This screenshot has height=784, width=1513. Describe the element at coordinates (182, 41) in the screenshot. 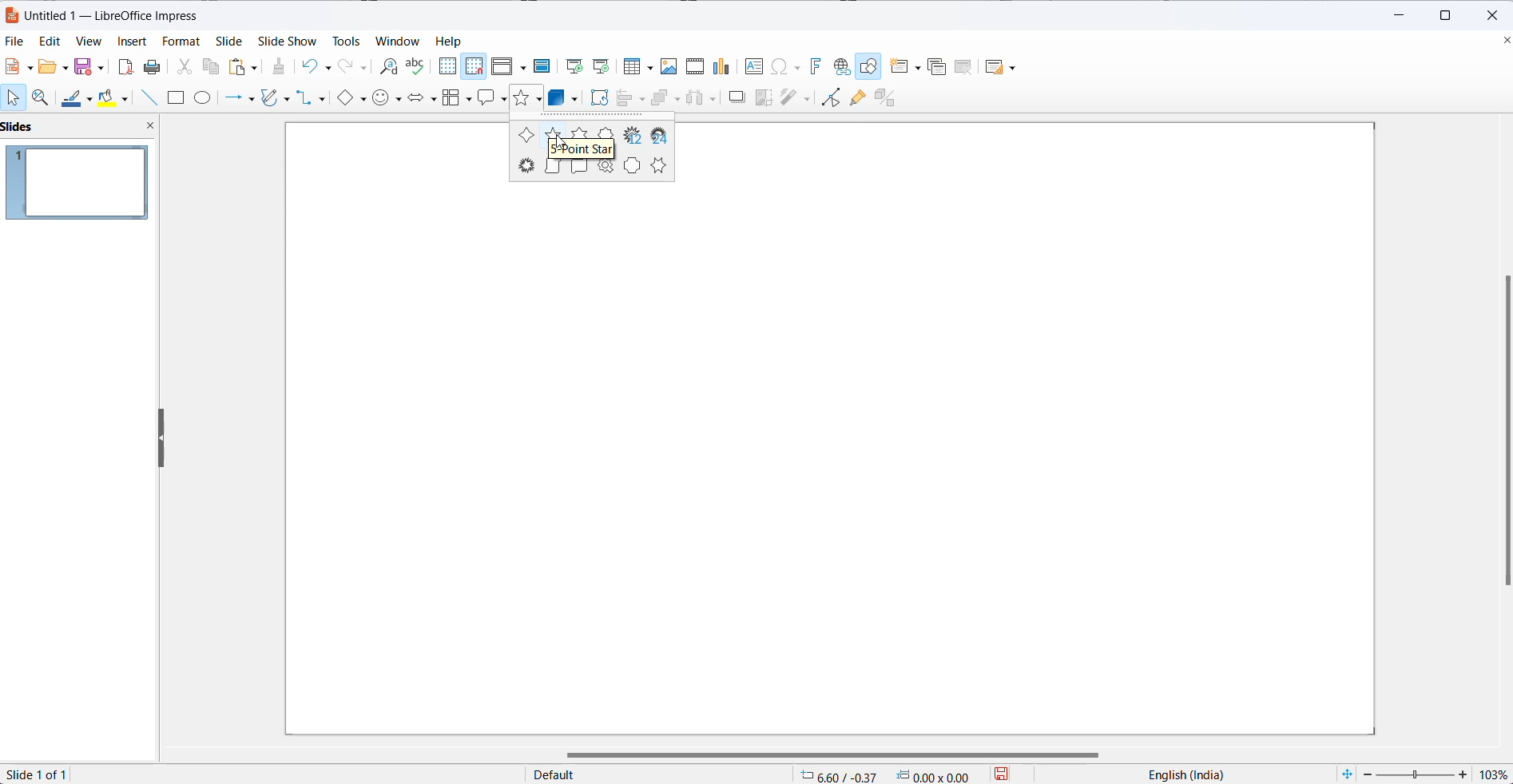

I see `format` at that location.